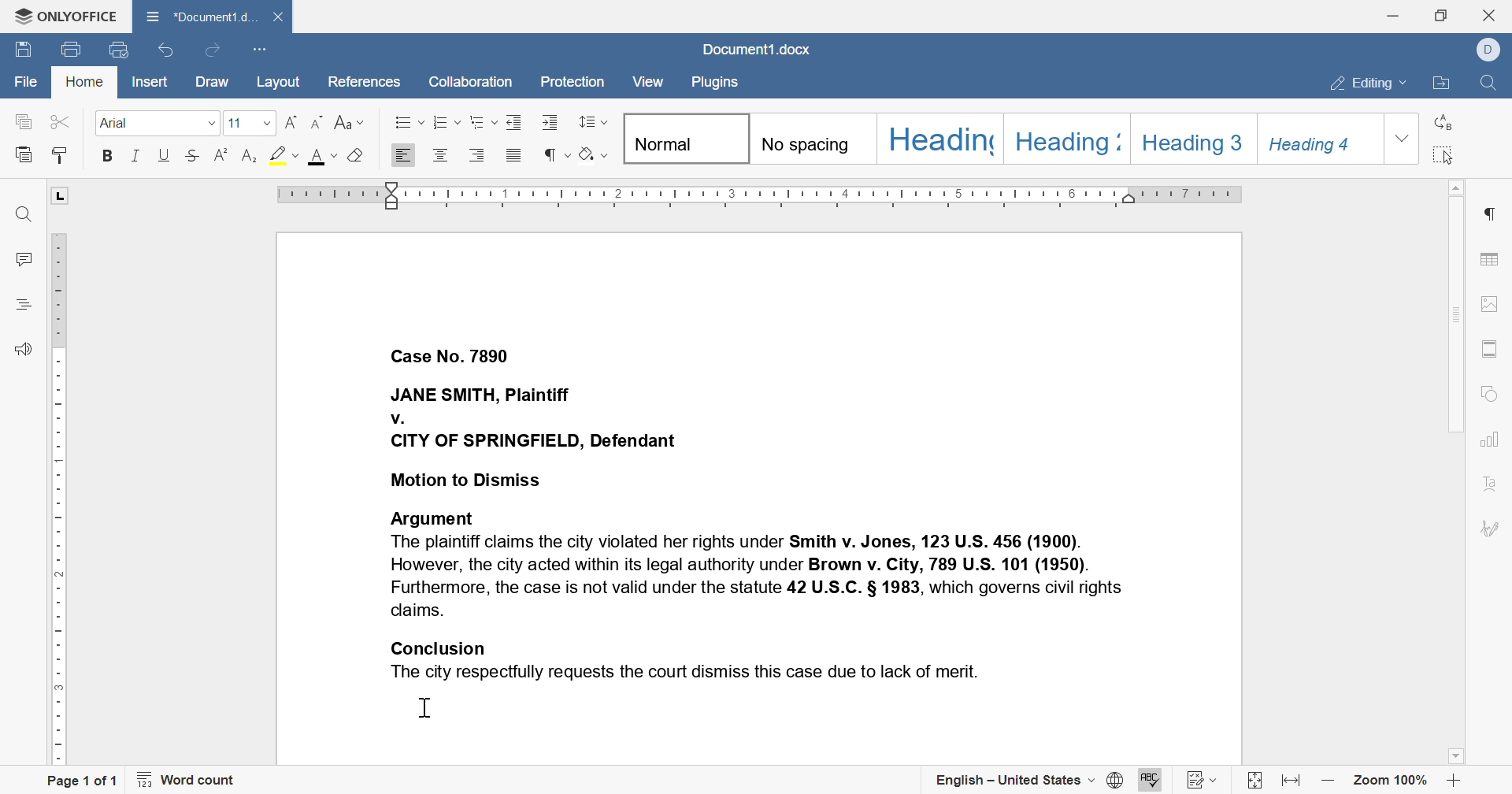  What do you see at coordinates (1453, 306) in the screenshot?
I see `scroll bar` at bounding box center [1453, 306].